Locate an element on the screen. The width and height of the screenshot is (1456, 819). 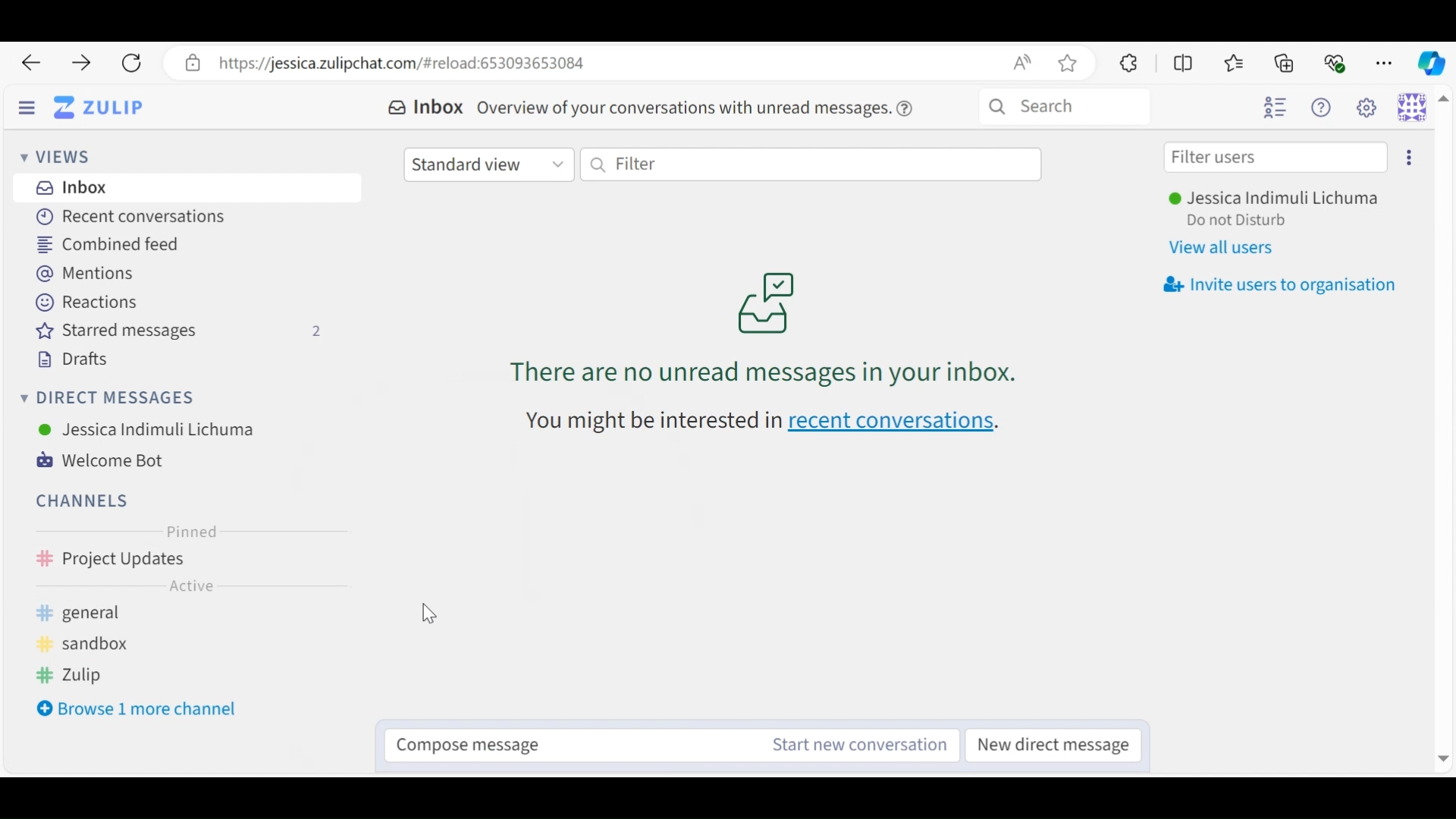
sandbox is located at coordinates (86, 644).